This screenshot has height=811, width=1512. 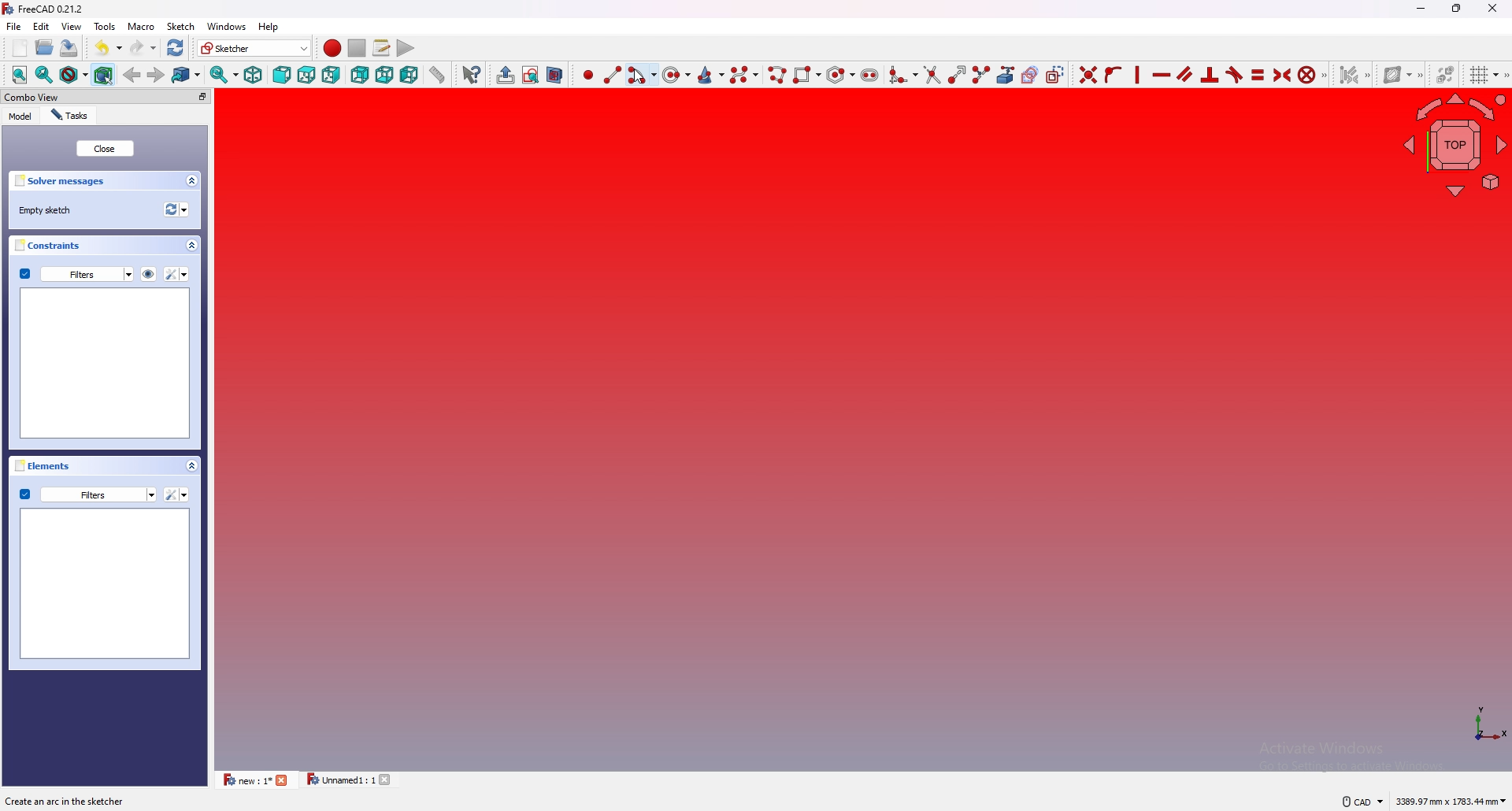 What do you see at coordinates (104, 148) in the screenshot?
I see `close` at bounding box center [104, 148].